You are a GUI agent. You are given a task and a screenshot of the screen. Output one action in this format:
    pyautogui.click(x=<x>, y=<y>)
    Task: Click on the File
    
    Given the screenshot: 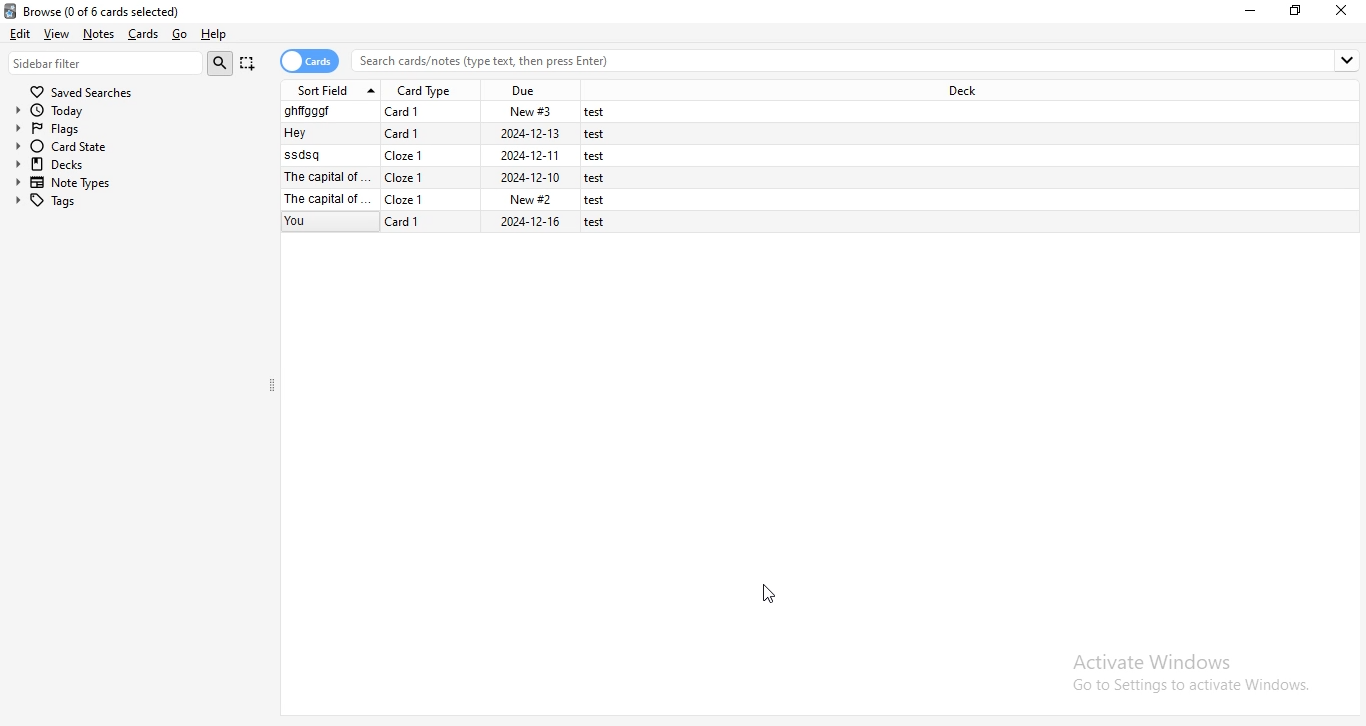 What is the action you would take?
    pyautogui.click(x=456, y=156)
    